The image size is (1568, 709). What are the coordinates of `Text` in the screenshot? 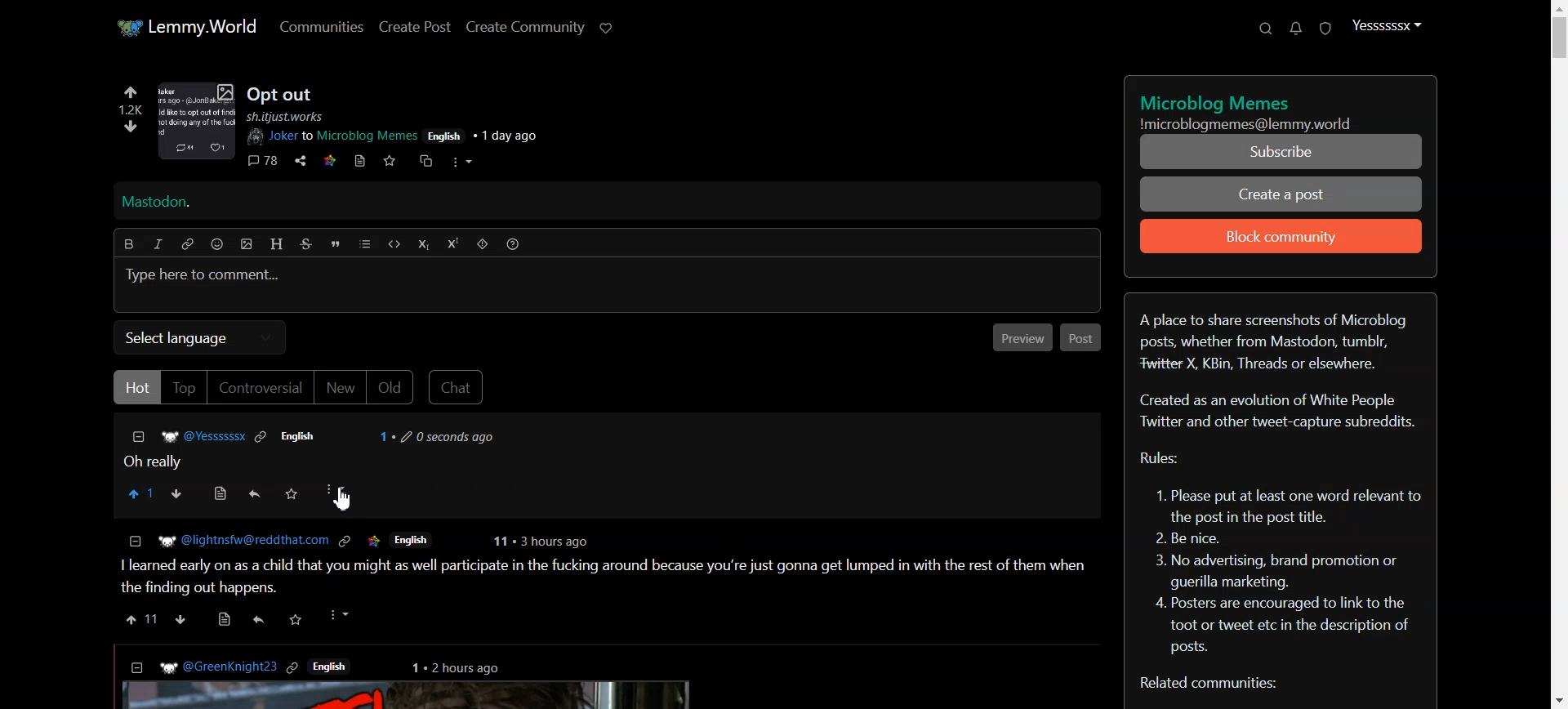 It's located at (1263, 123).